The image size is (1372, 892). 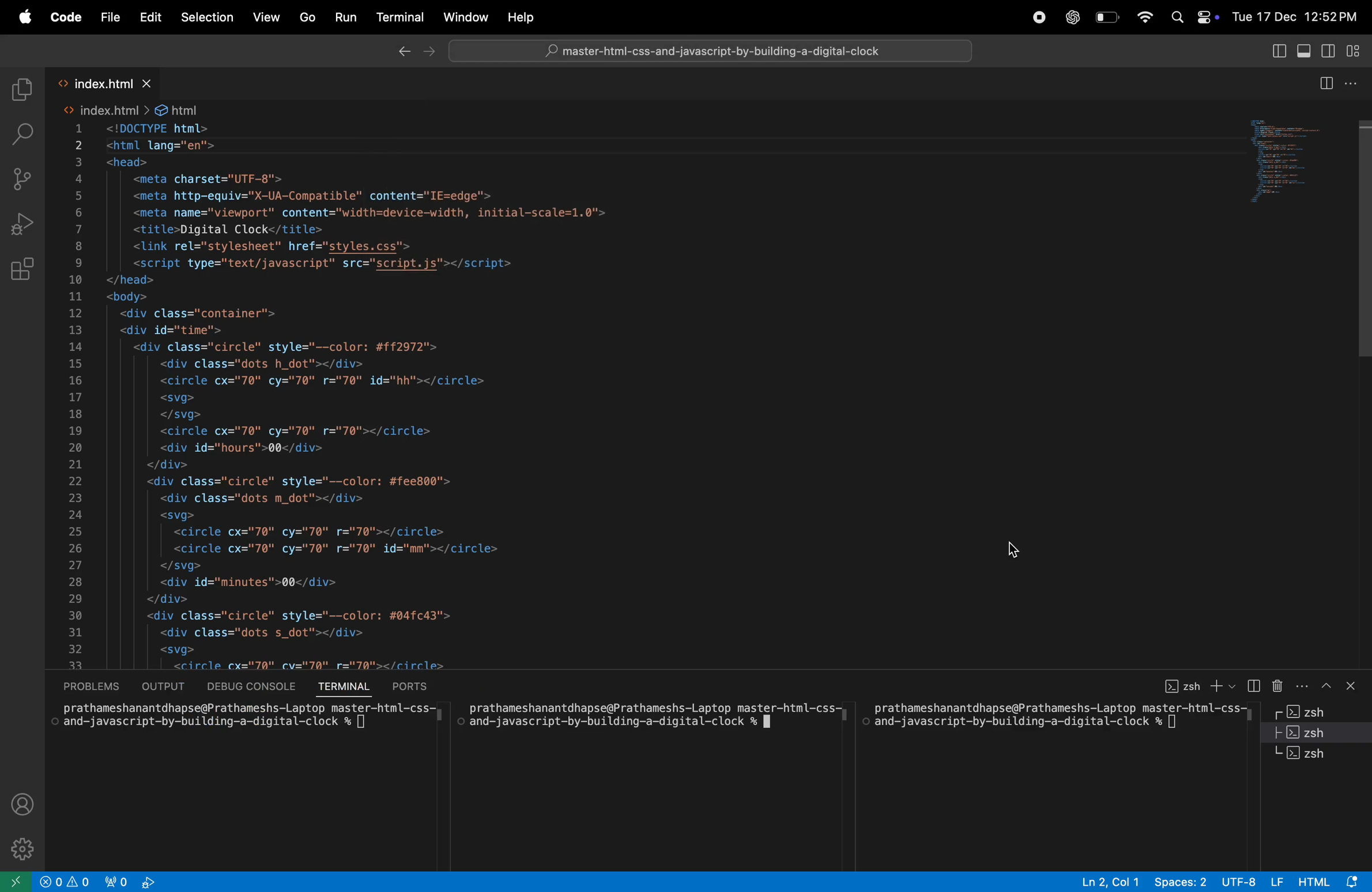 I want to click on settings, so click(x=21, y=849).